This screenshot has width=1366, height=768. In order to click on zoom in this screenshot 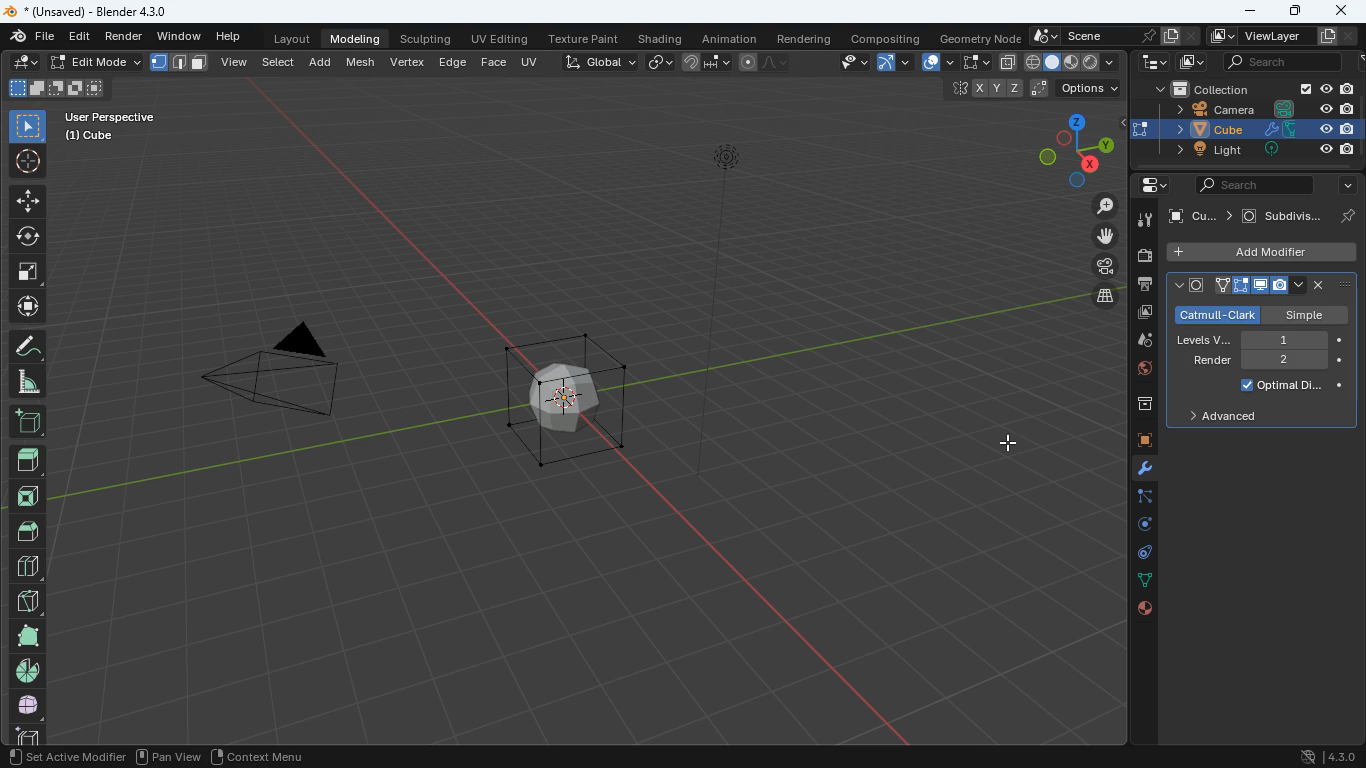, I will do `click(1097, 208)`.